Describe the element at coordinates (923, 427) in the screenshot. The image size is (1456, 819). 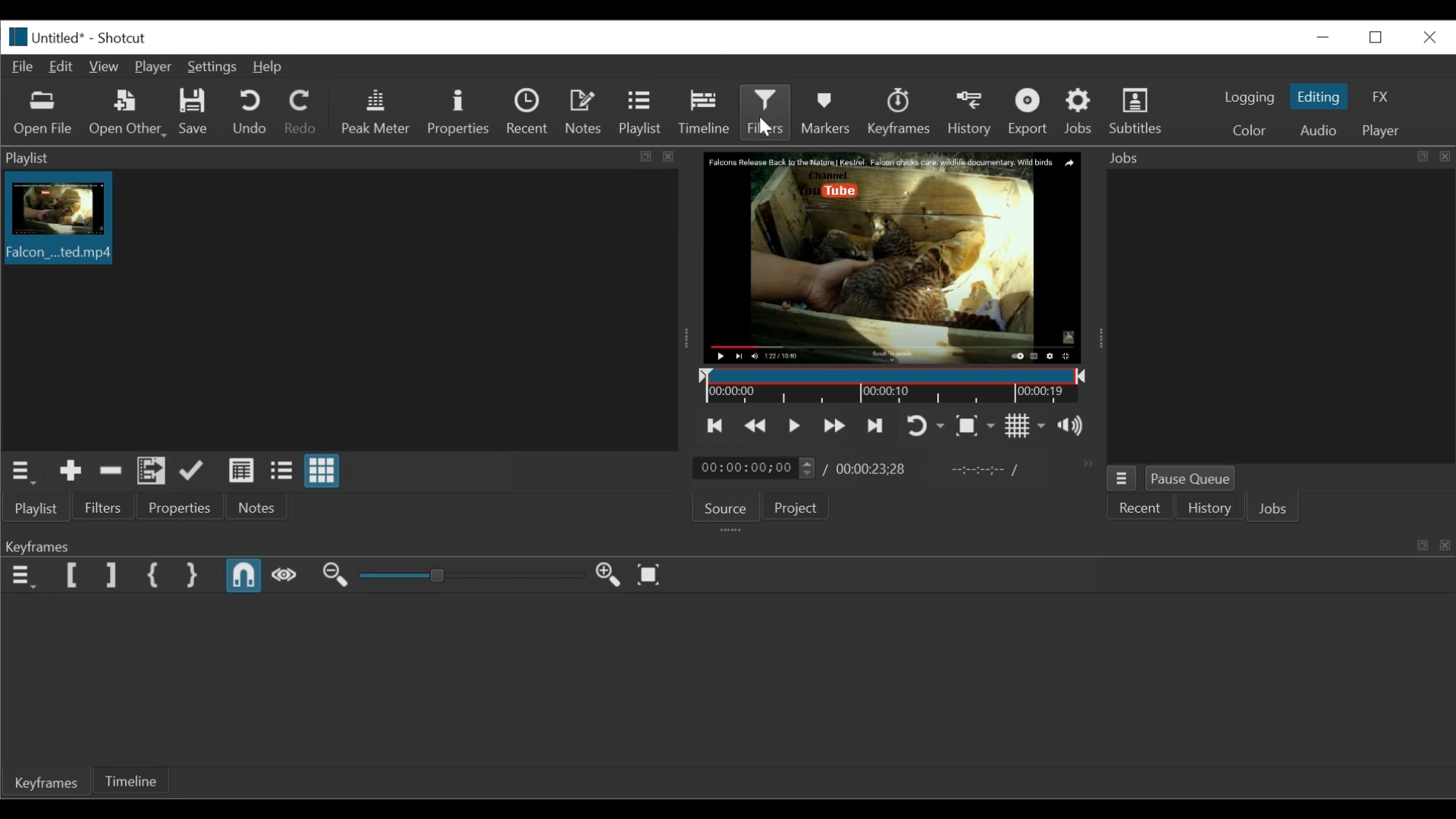
I see `Toggle player looping` at that location.